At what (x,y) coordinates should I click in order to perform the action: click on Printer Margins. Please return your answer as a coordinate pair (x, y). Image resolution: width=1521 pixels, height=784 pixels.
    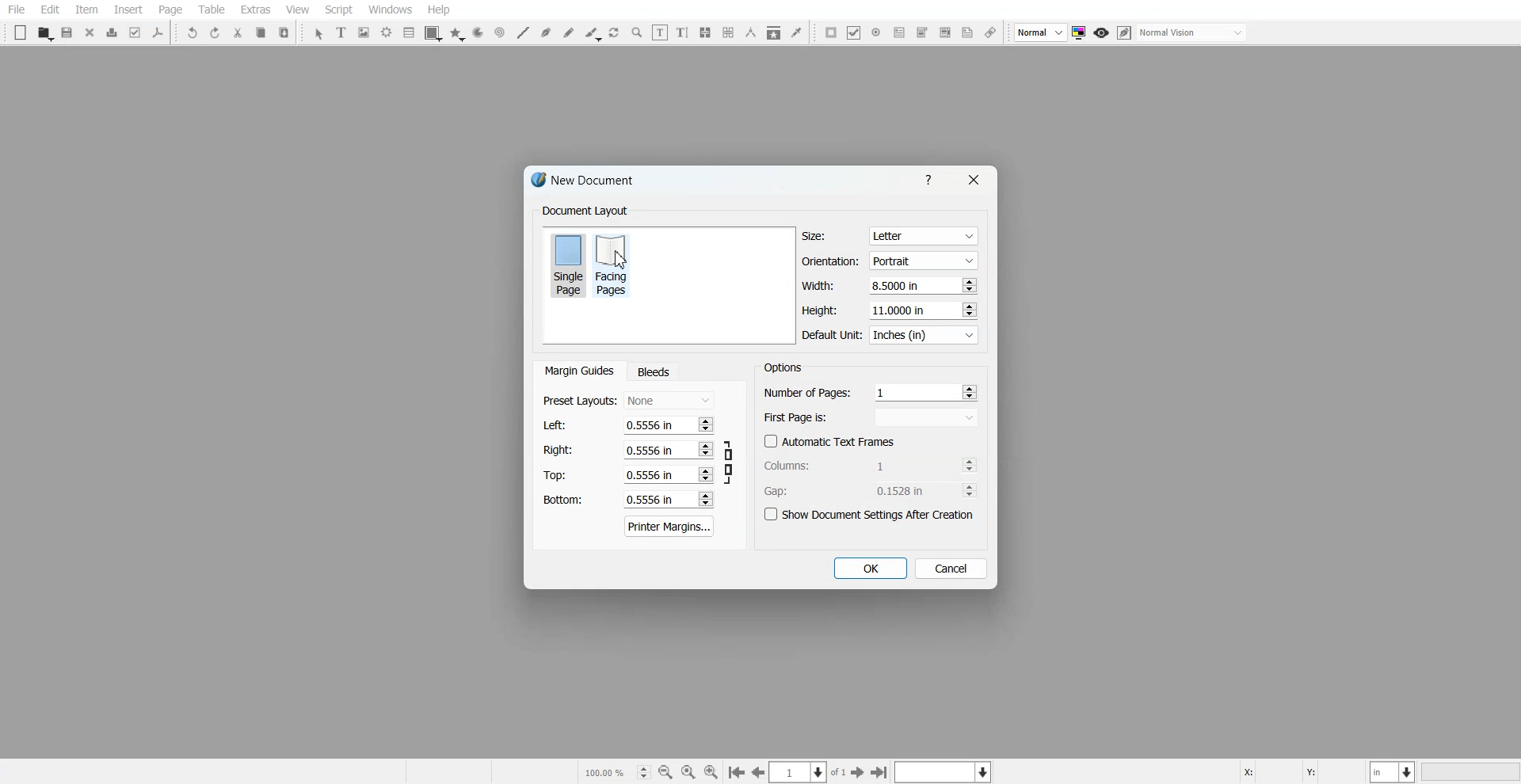
    Looking at the image, I should click on (670, 526).